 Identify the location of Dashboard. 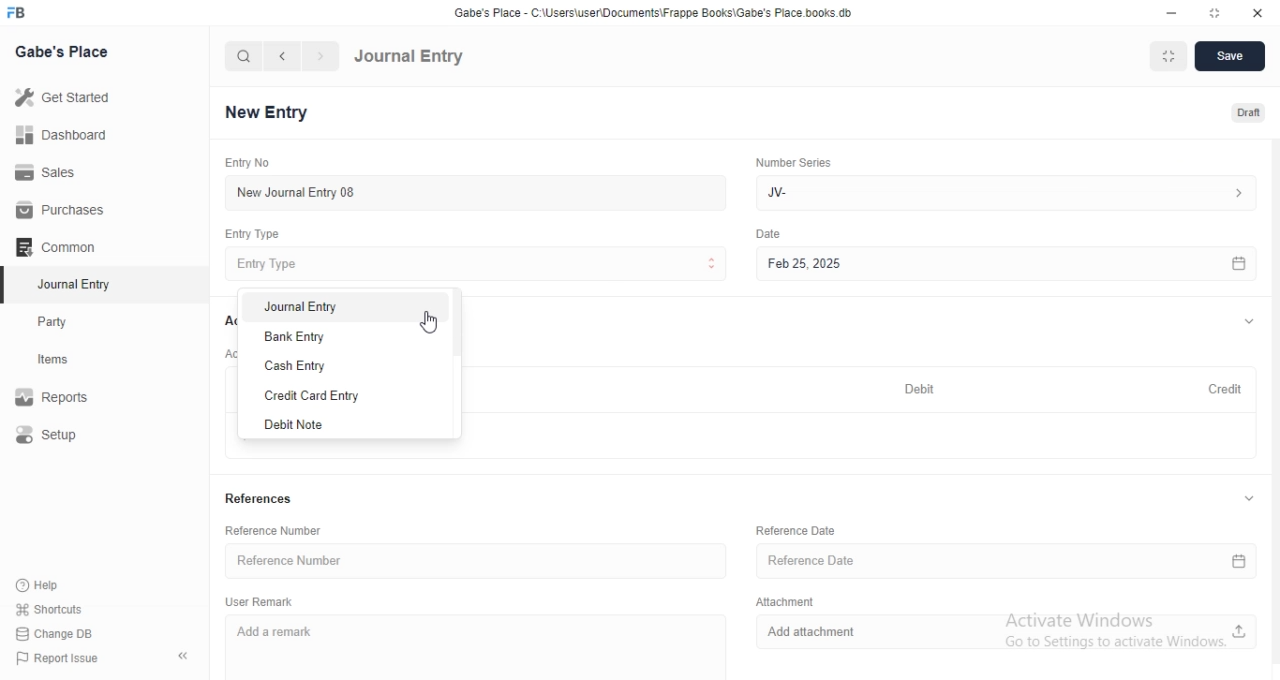
(61, 138).